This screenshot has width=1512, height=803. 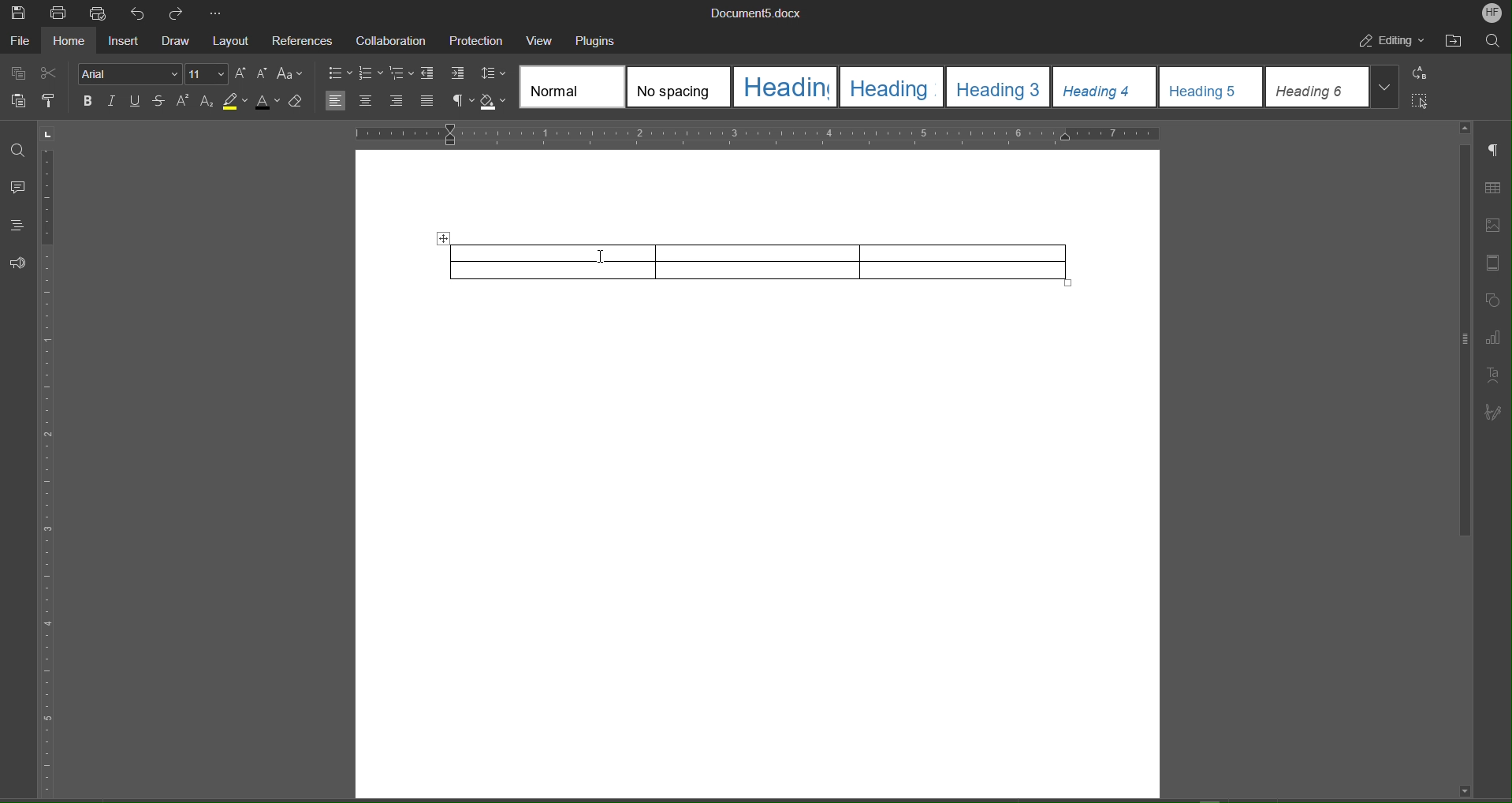 I want to click on Protection, so click(x=477, y=41).